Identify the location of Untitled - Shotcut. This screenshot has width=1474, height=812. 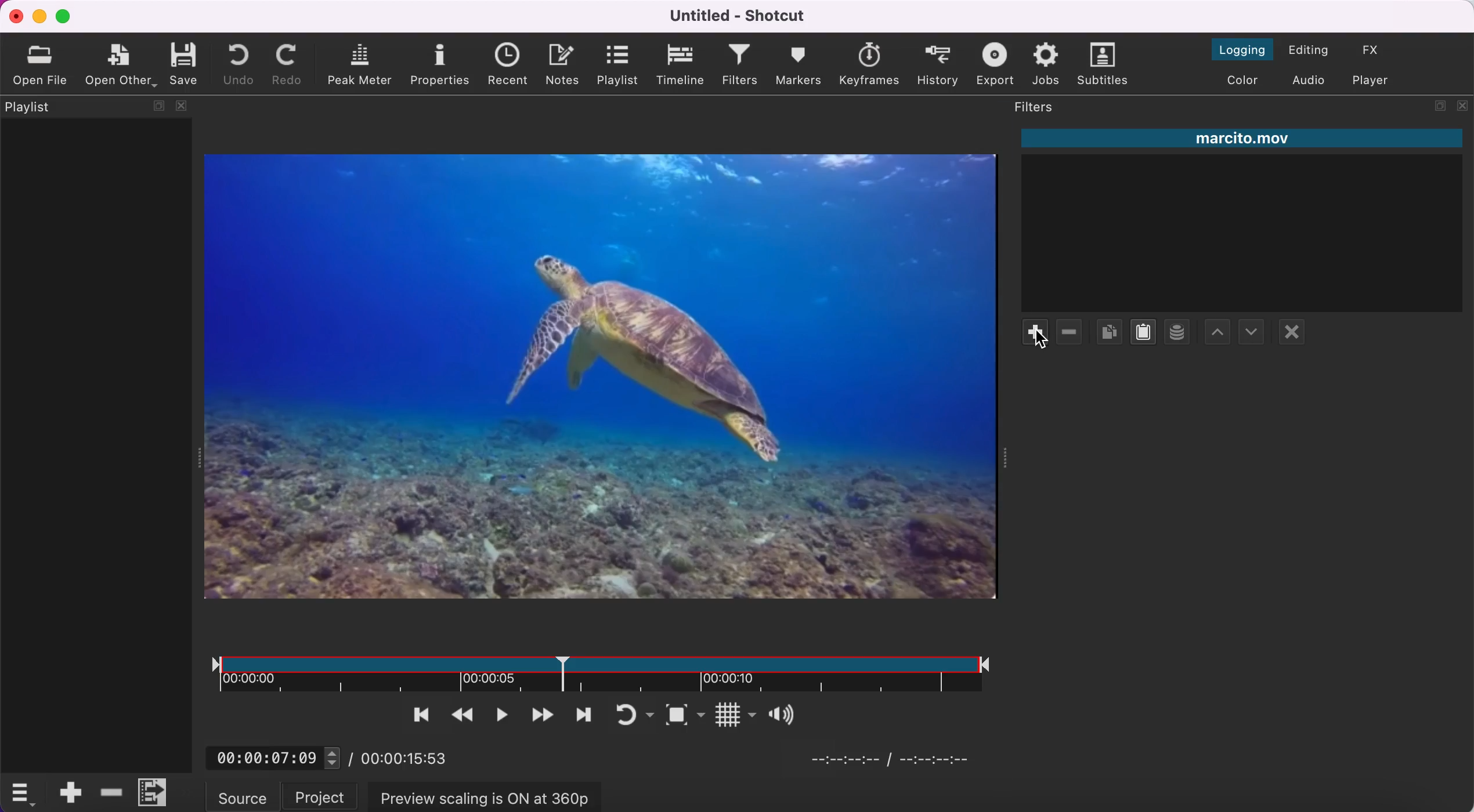
(739, 16).